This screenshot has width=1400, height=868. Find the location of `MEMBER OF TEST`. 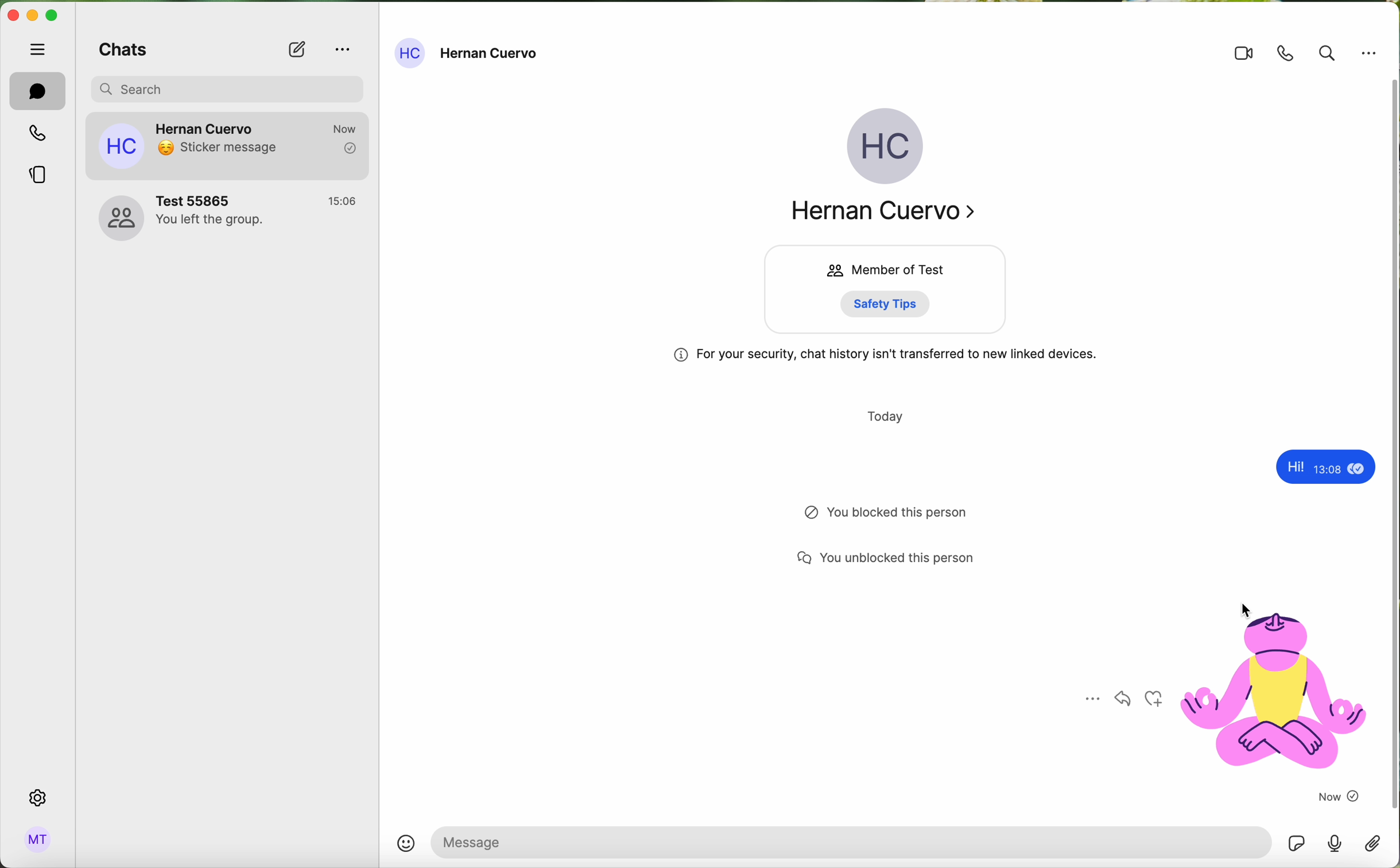

MEMBER OF TEST is located at coordinates (885, 269).